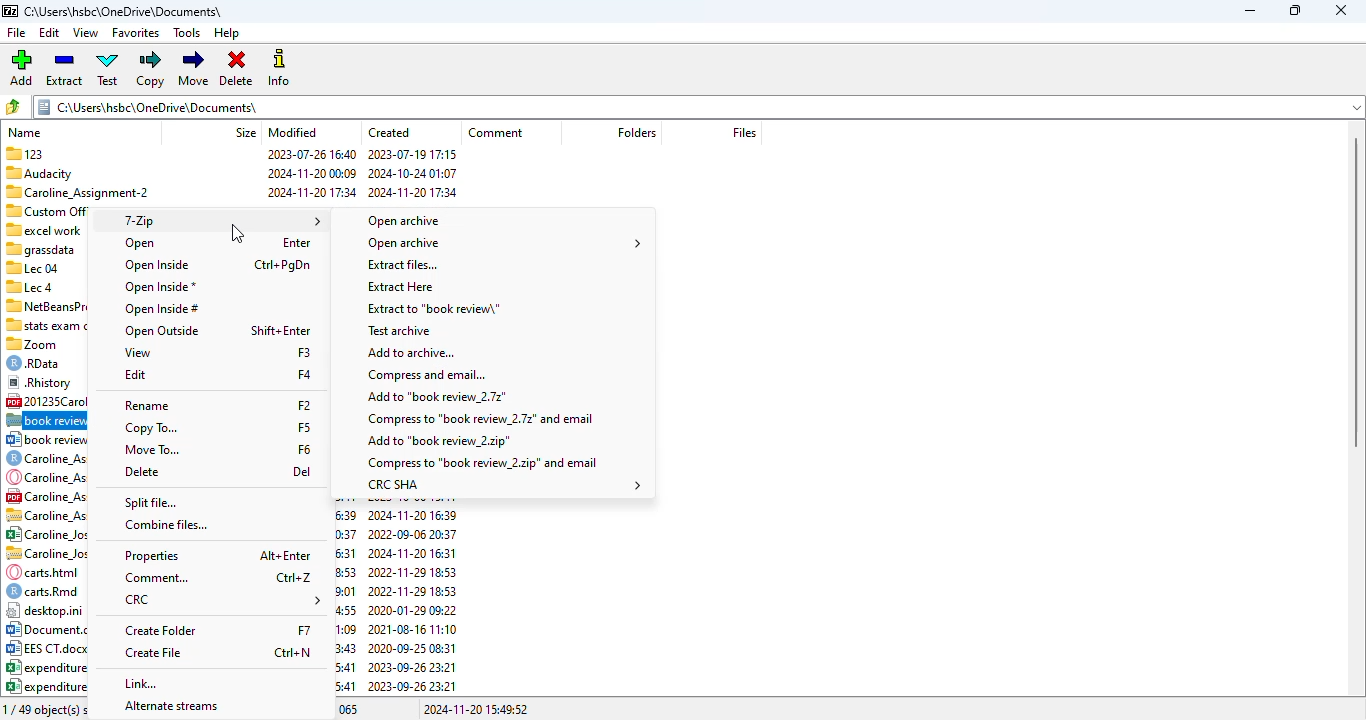 The image size is (1366, 720). Describe the element at coordinates (304, 427) in the screenshot. I see `shortcut for copy to` at that location.